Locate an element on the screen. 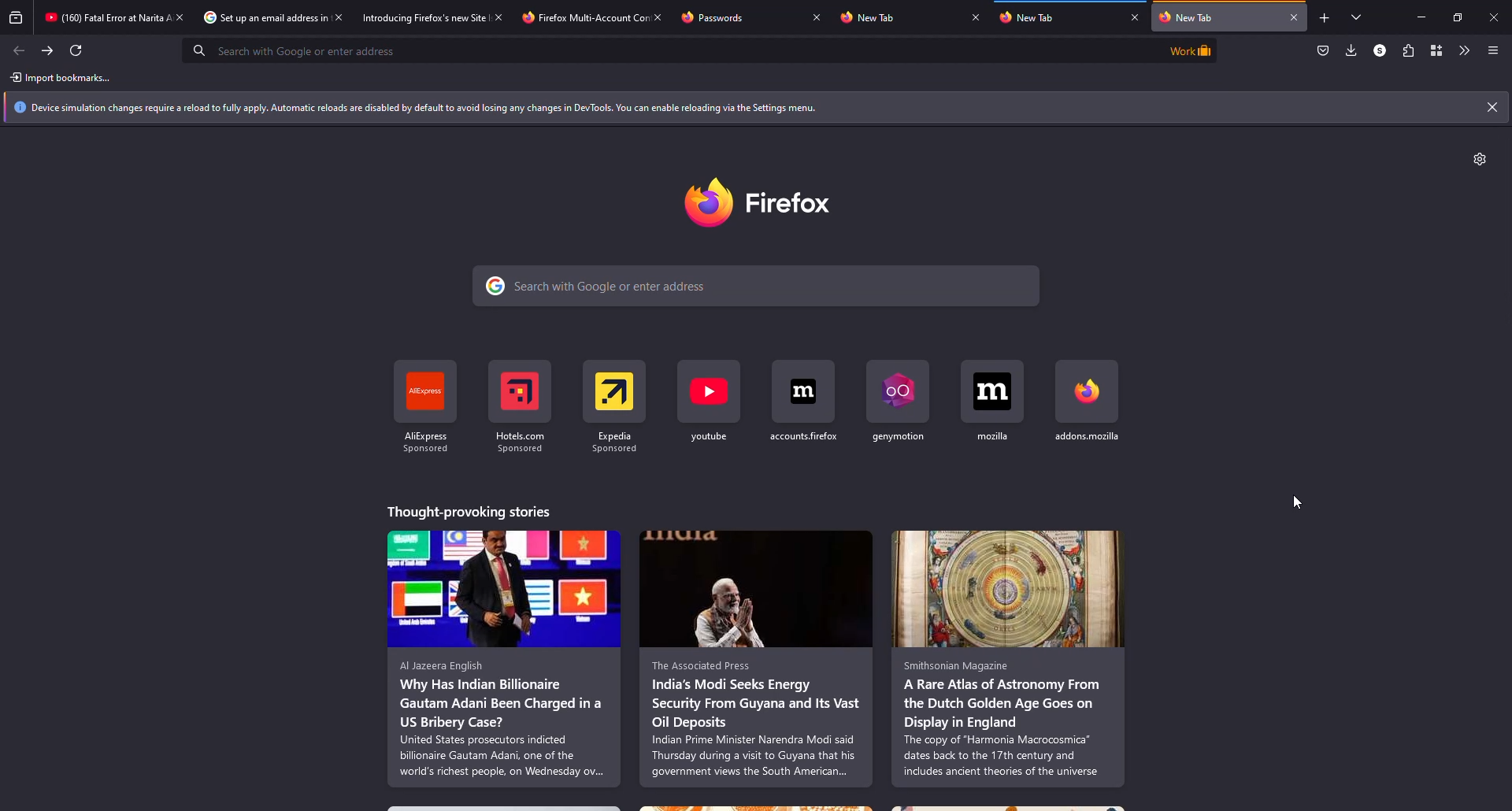 The image size is (1512, 811). close is located at coordinates (181, 17).